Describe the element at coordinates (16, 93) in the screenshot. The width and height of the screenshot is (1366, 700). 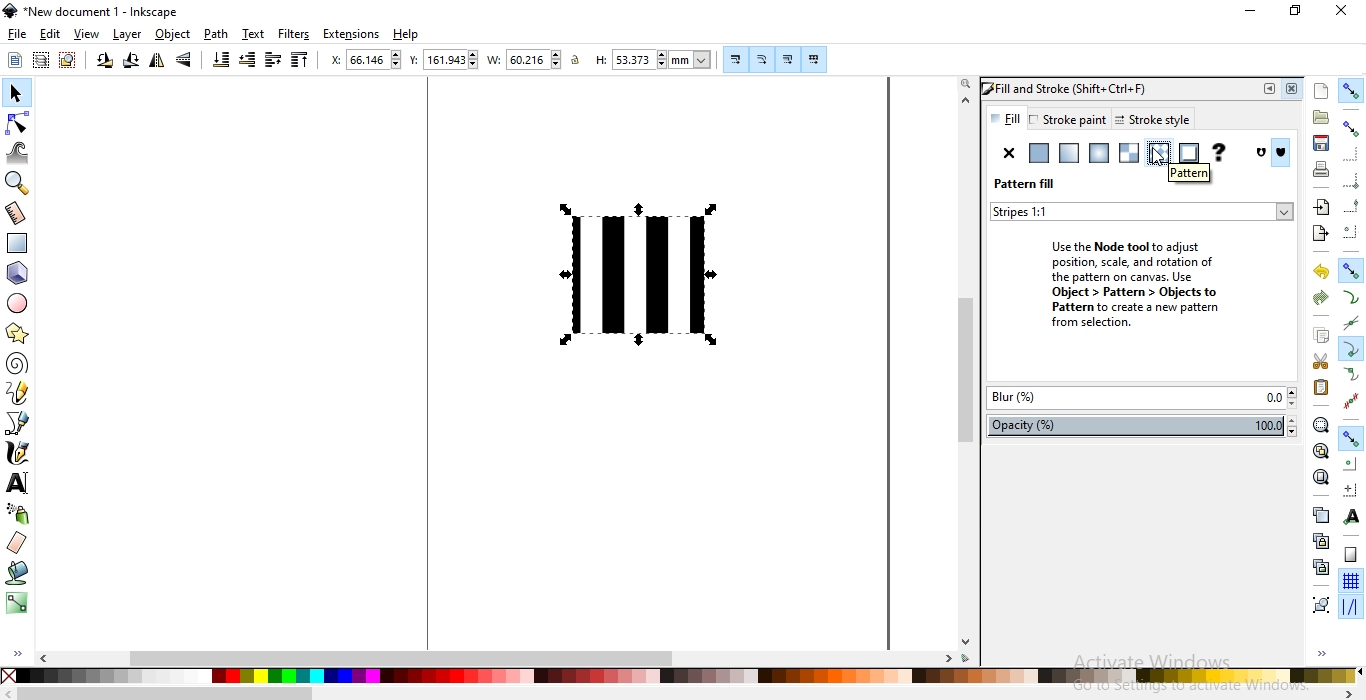
I see `select and transform objects` at that location.